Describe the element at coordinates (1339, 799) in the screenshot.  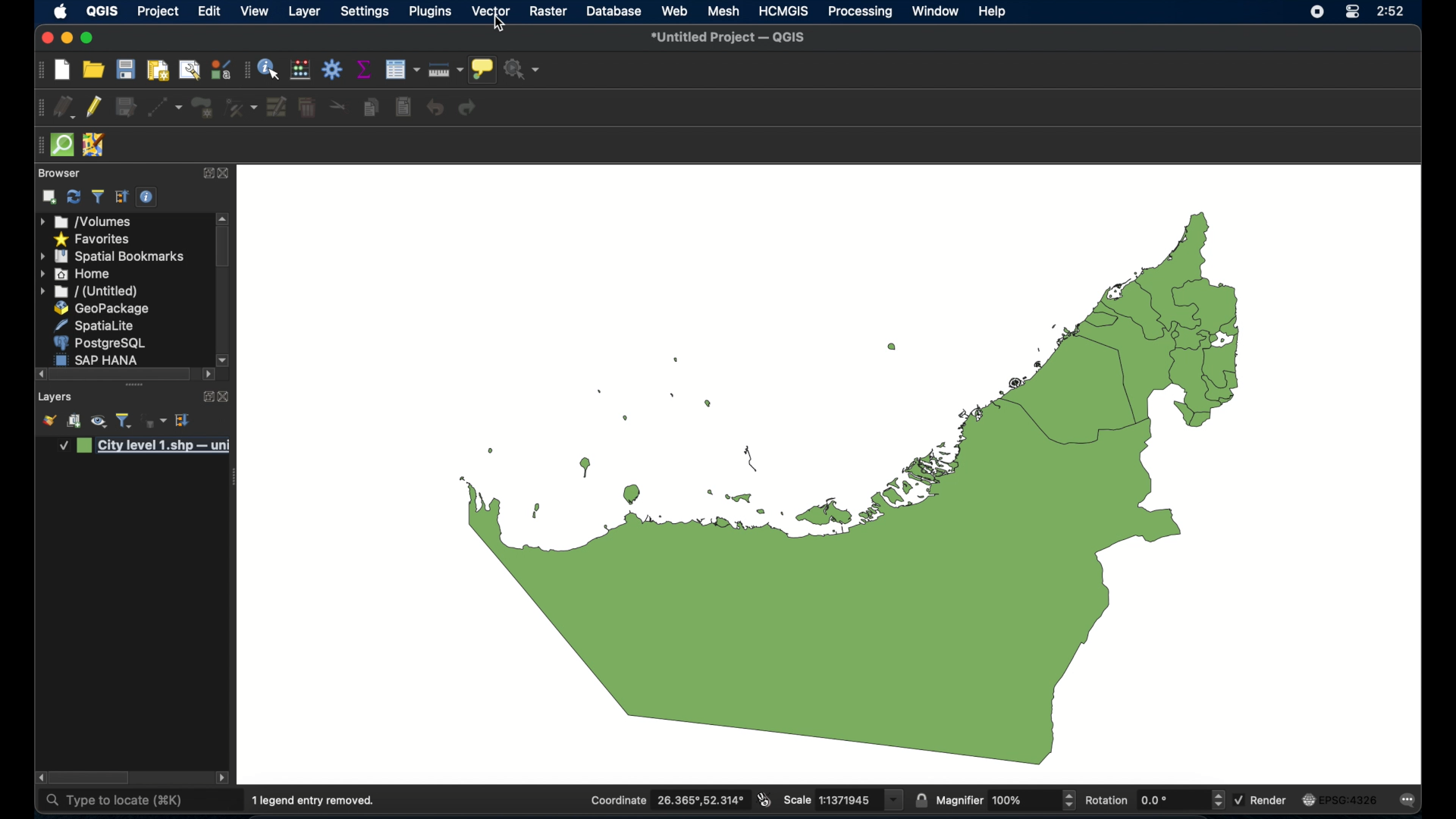
I see `current crs` at that location.